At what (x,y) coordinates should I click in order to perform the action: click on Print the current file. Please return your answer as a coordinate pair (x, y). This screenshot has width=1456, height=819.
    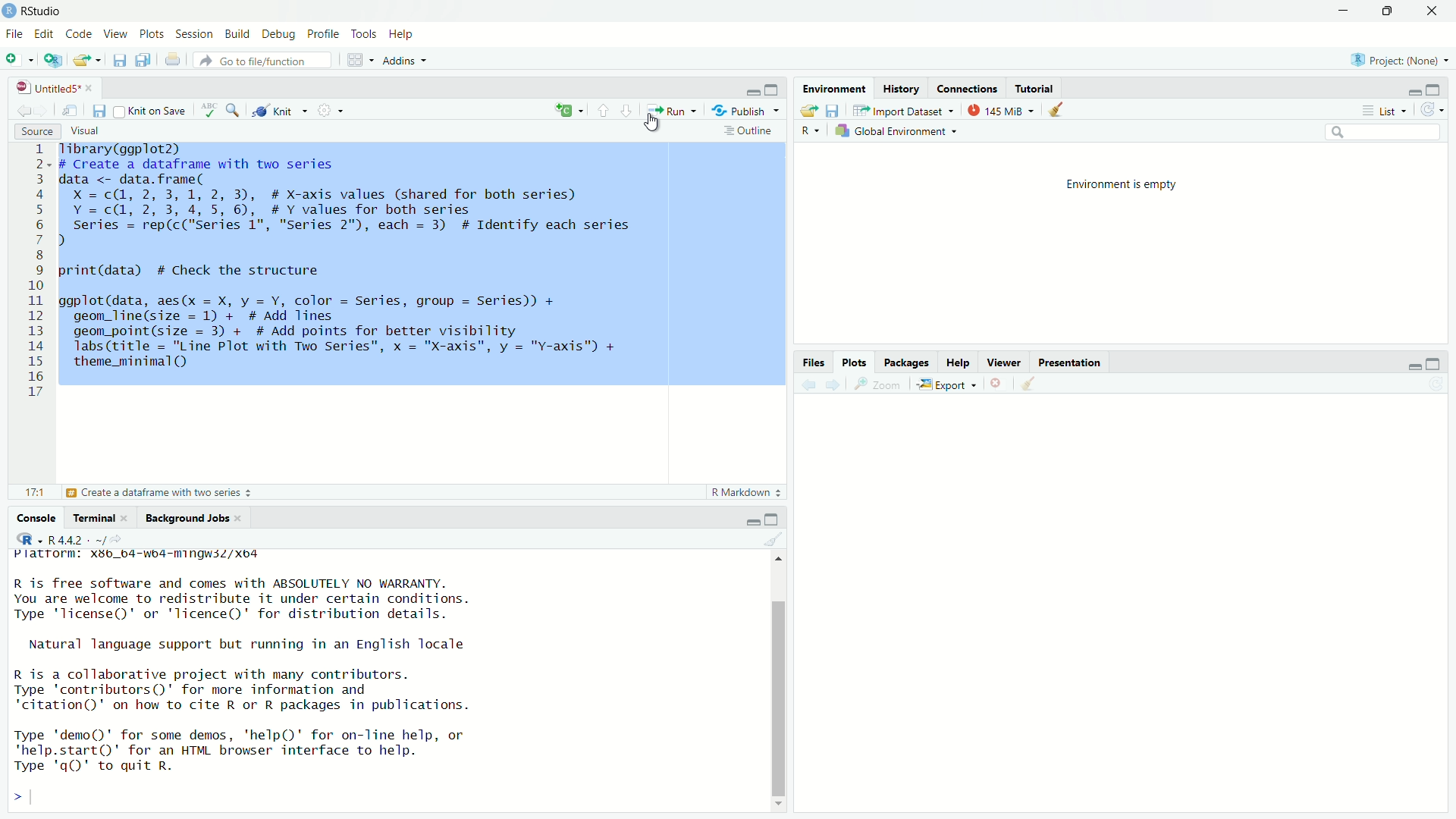
    Looking at the image, I should click on (173, 60).